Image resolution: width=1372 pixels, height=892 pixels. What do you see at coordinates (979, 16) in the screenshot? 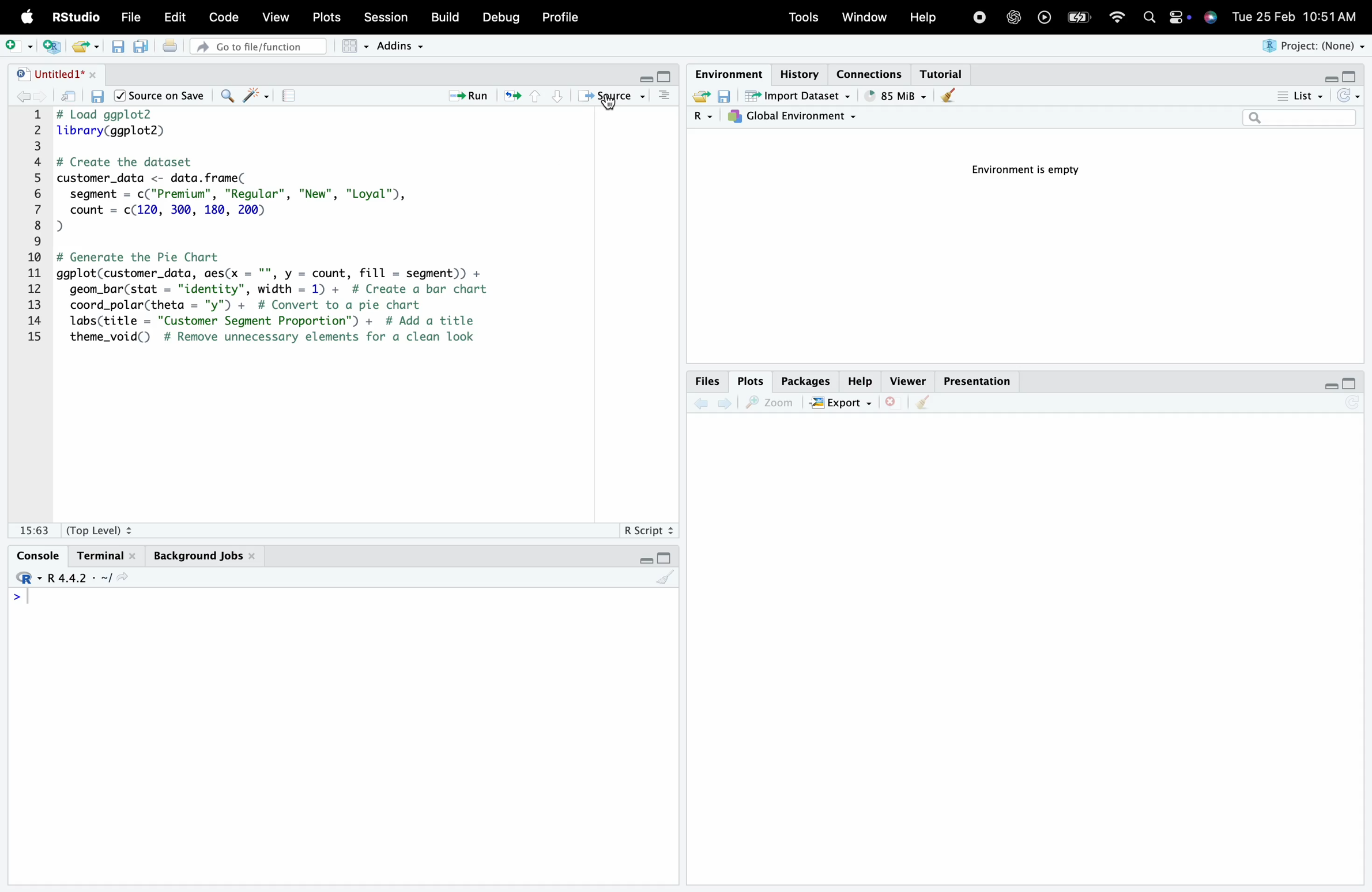
I see `stop` at bounding box center [979, 16].